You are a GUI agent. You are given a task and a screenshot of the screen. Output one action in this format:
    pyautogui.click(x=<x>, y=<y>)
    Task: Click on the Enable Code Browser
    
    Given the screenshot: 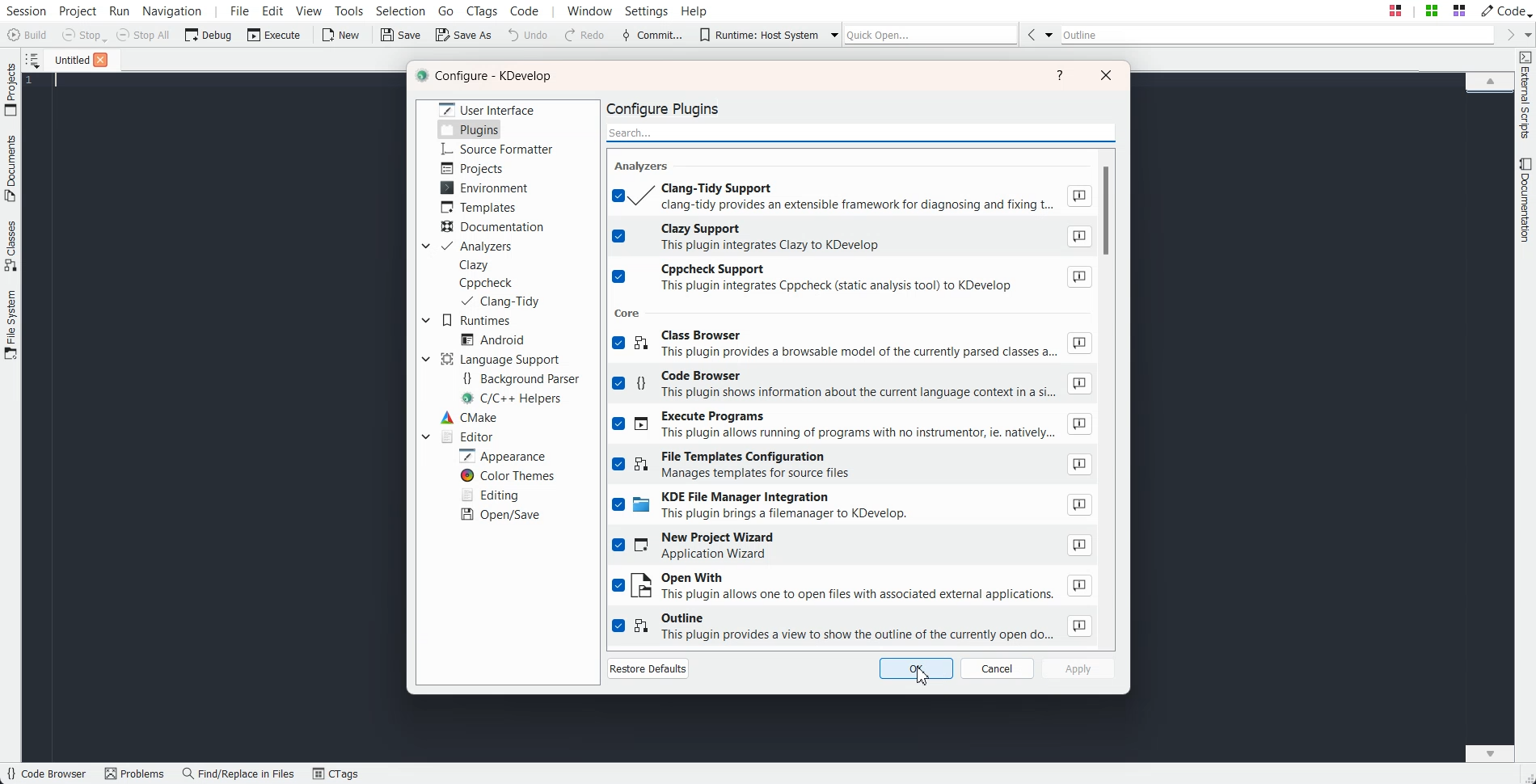 What is the action you would take?
    pyautogui.click(x=852, y=386)
    